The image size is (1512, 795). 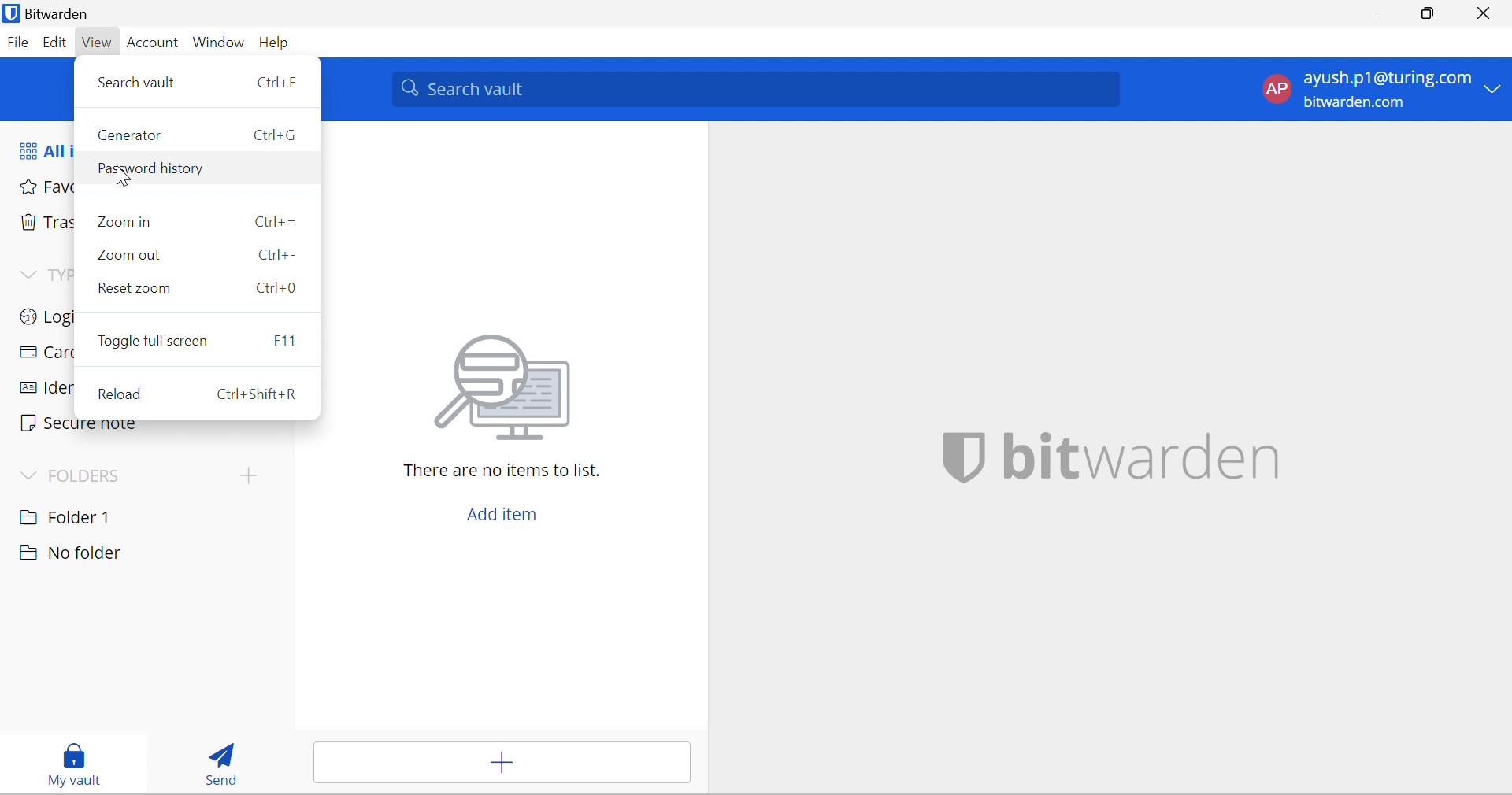 I want to click on Add Entry, so click(x=502, y=763).